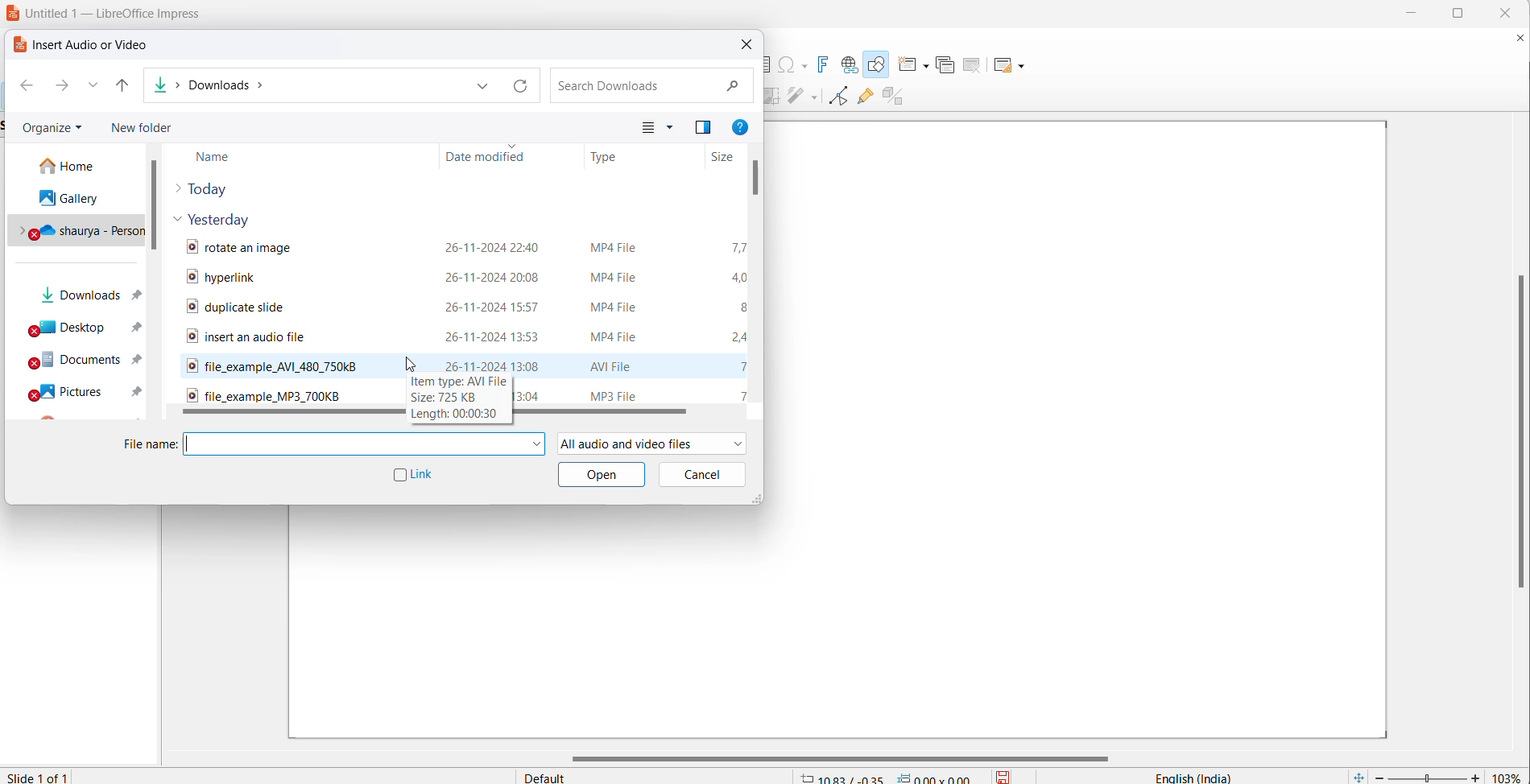 This screenshot has height=784, width=1530. Describe the element at coordinates (353, 447) in the screenshot. I see `file name text box` at that location.